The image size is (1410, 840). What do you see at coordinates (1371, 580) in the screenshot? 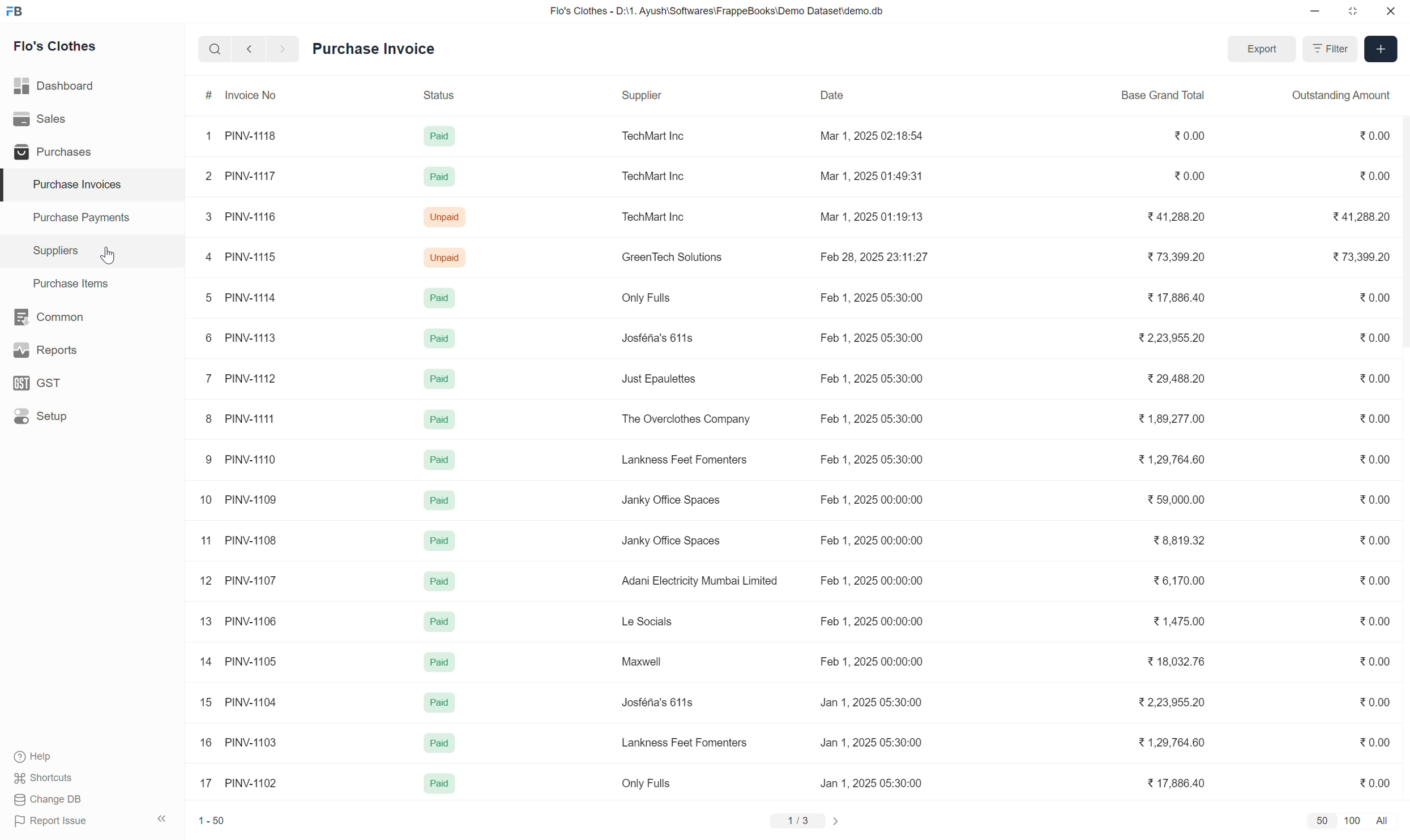
I see `20.00` at bounding box center [1371, 580].